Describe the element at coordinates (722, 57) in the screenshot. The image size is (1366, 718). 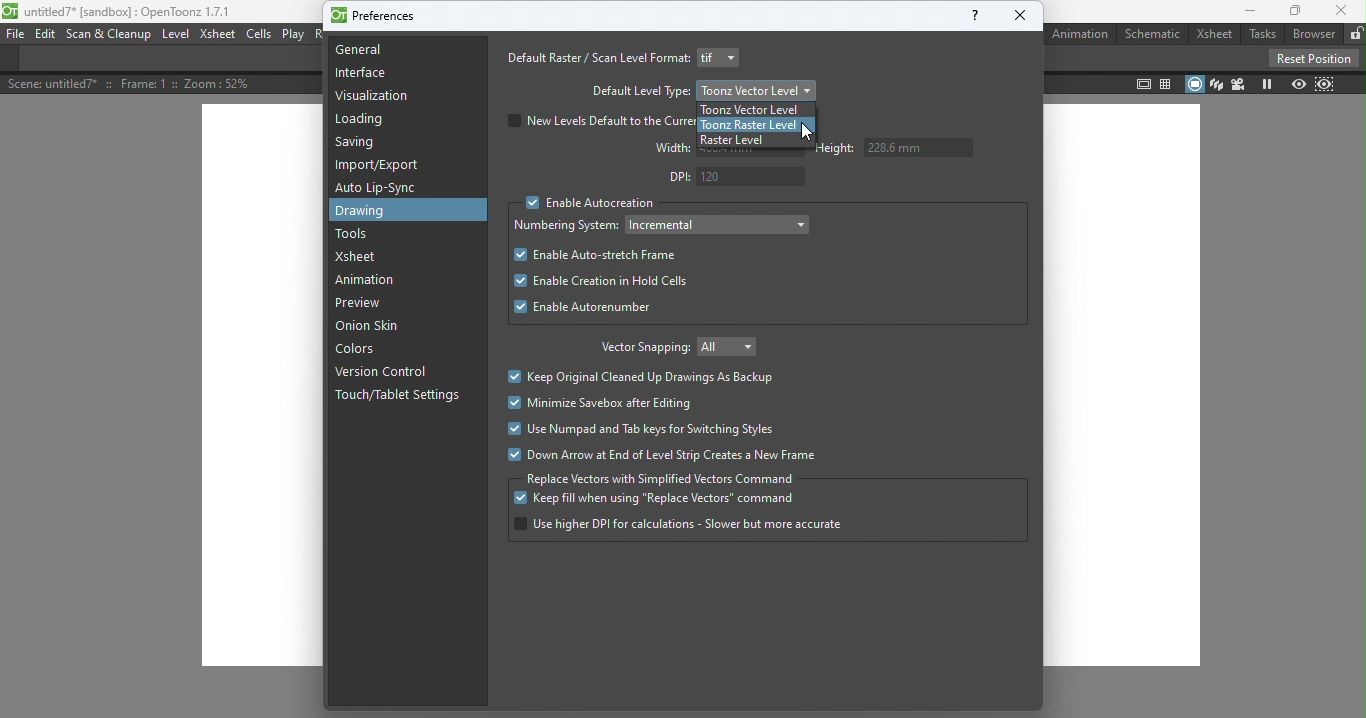
I see `Drop down menu` at that location.